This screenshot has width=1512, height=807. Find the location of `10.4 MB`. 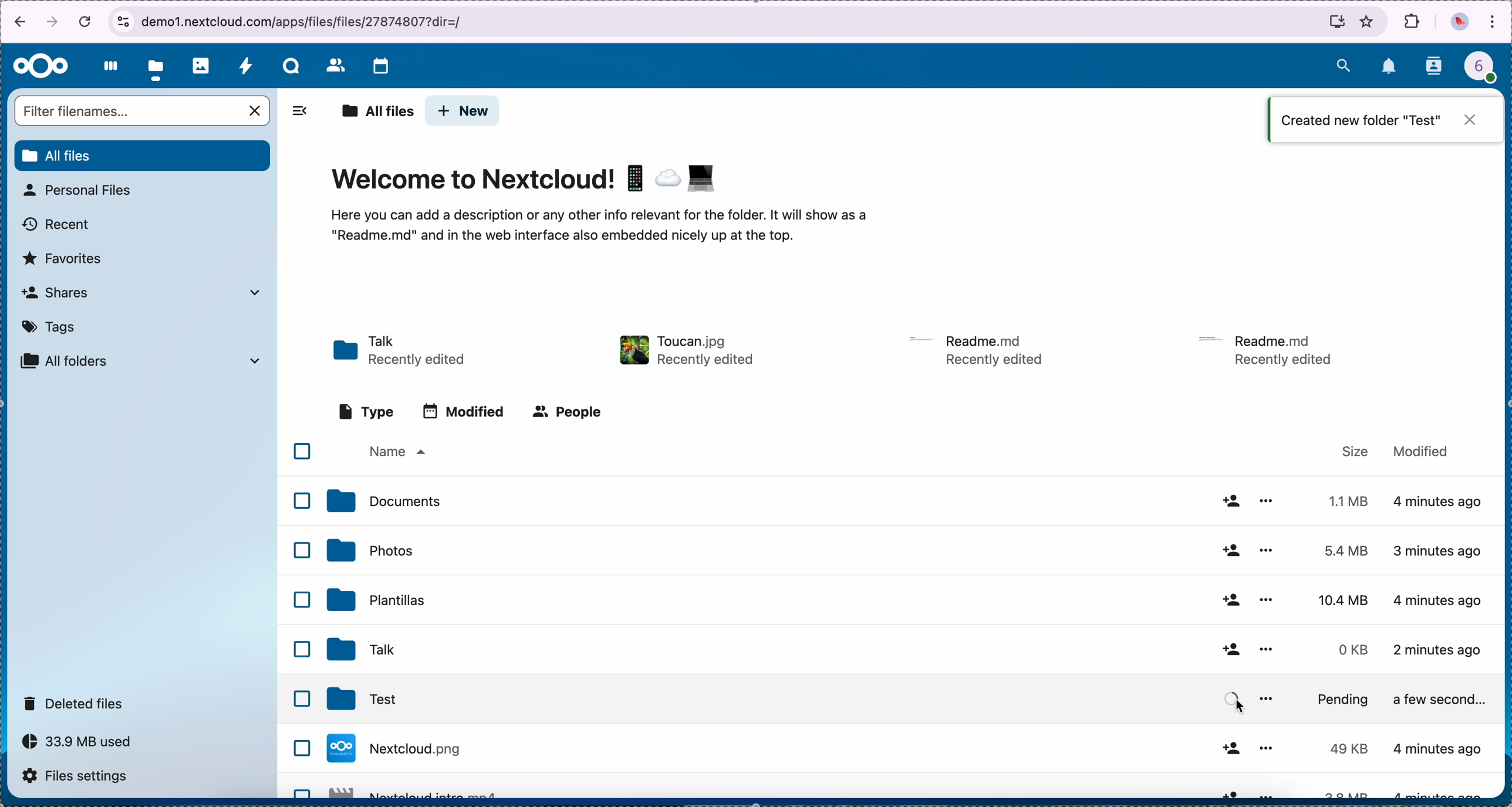

10.4 MB is located at coordinates (1345, 601).